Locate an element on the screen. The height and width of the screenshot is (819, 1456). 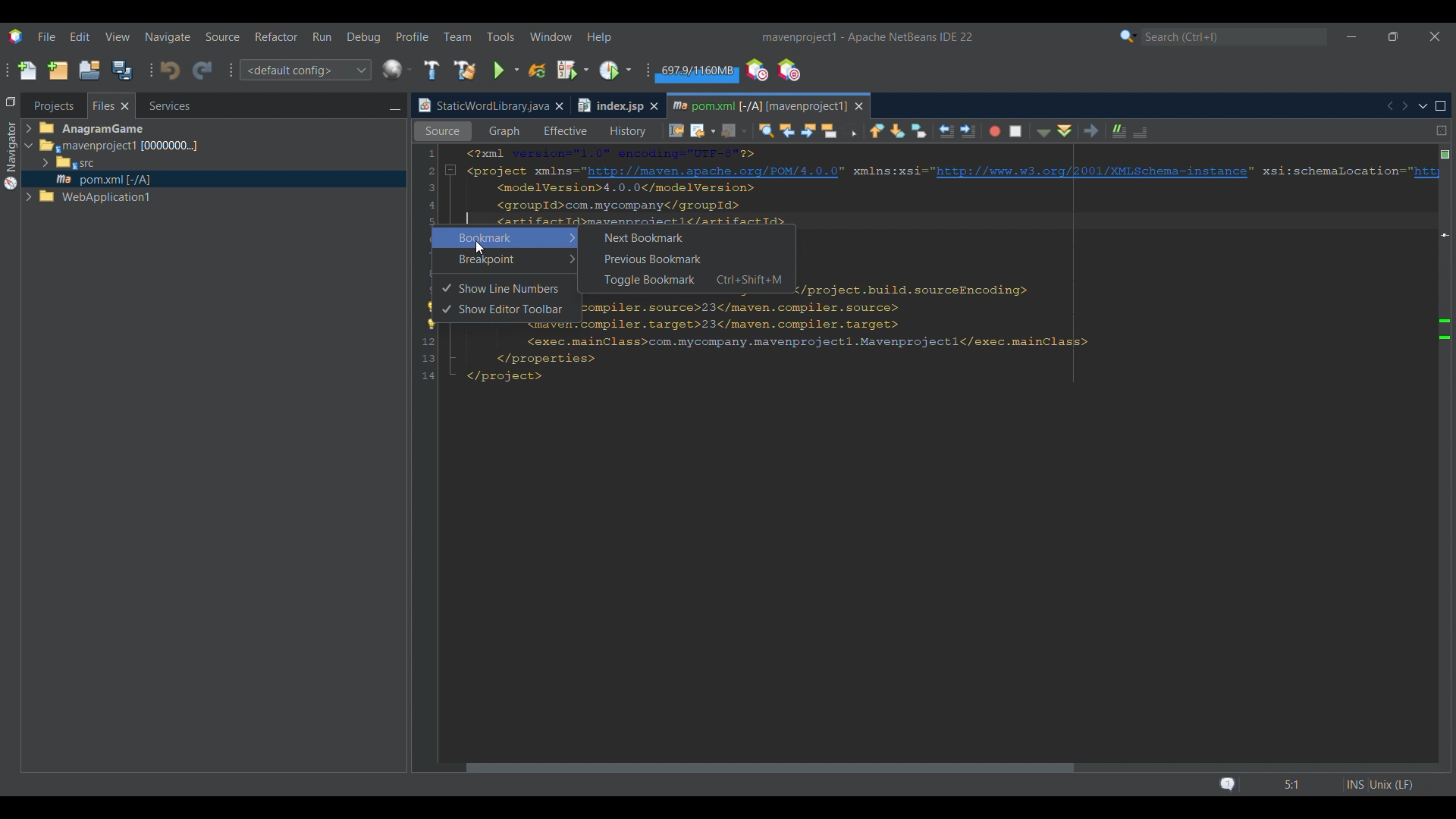
Profile the IDE is located at coordinates (758, 71).